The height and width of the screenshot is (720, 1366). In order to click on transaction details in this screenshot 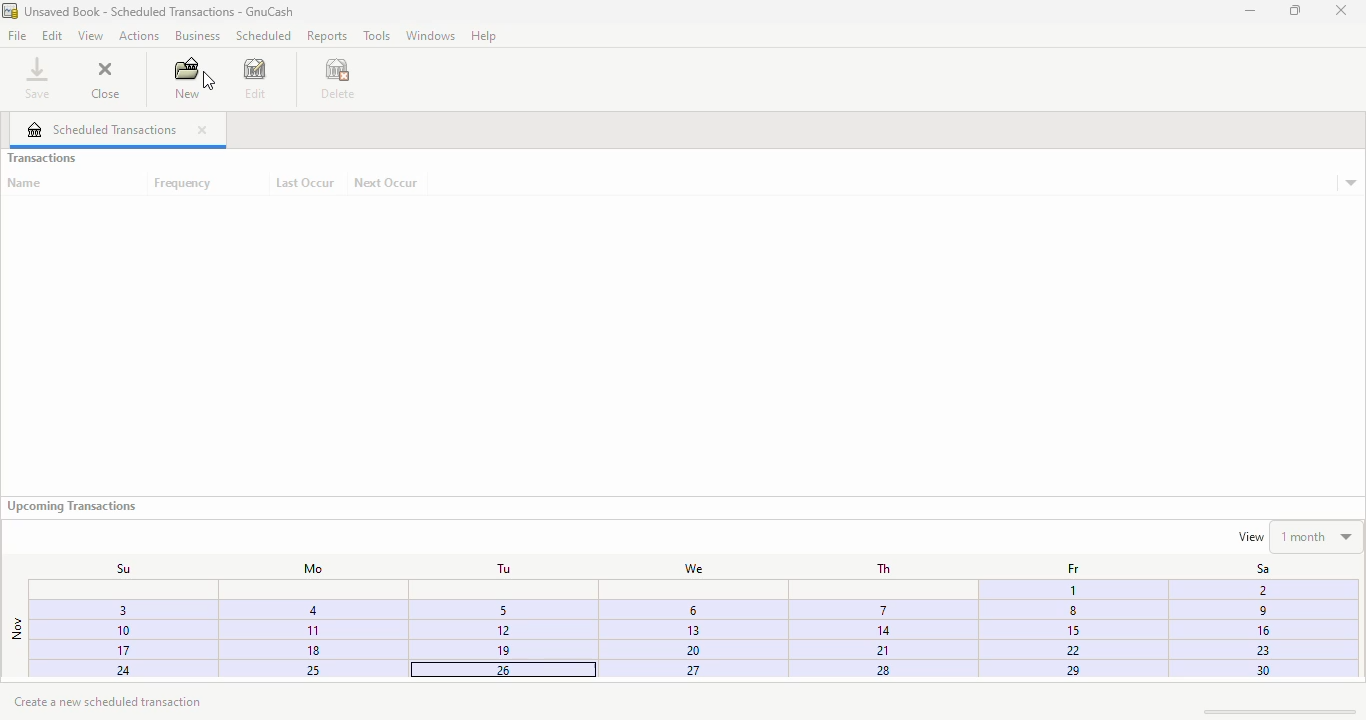, I will do `click(1351, 184)`.